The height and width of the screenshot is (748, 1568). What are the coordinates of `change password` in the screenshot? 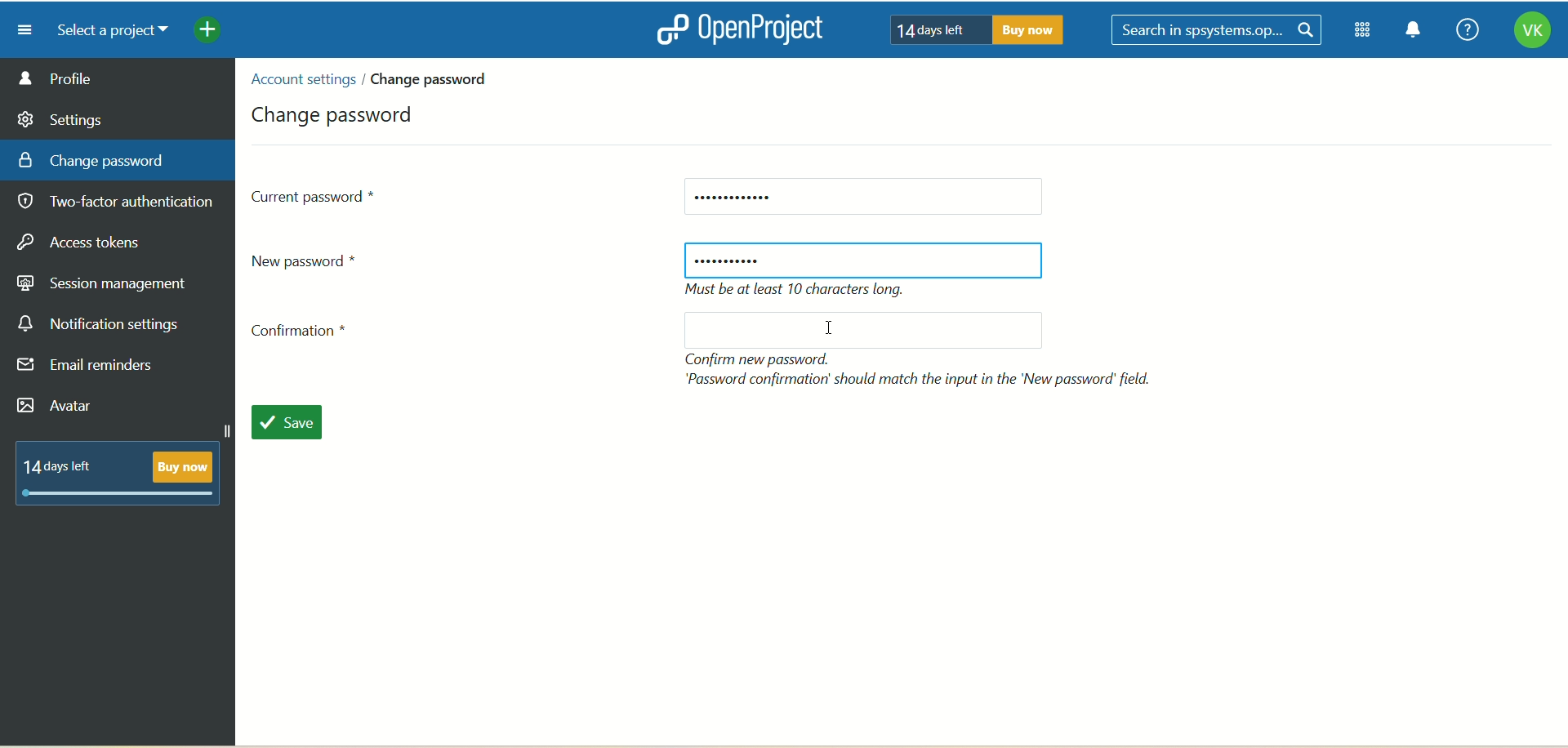 It's located at (91, 159).